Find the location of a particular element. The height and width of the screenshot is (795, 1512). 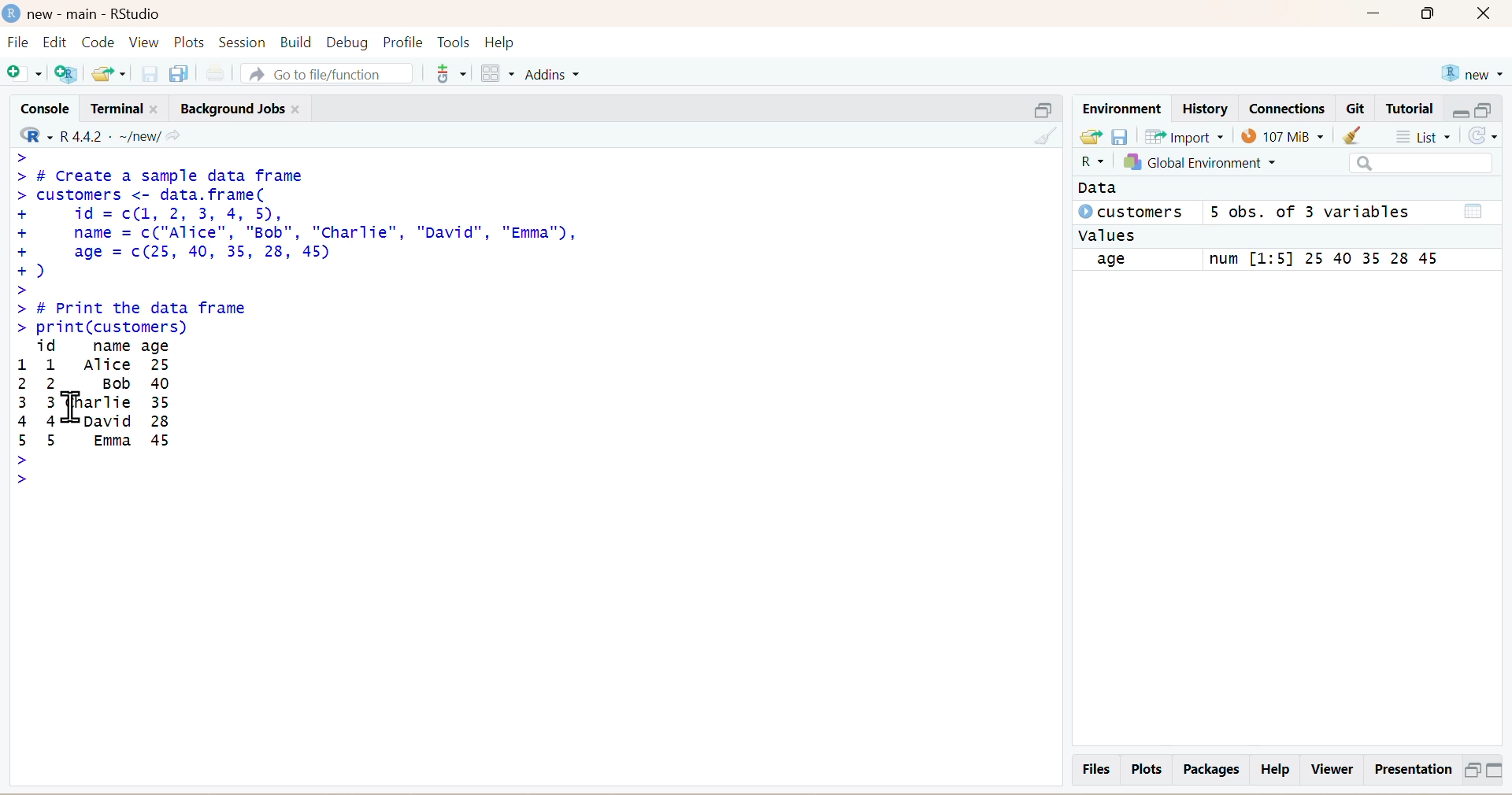

maximise is located at coordinates (1486, 109).